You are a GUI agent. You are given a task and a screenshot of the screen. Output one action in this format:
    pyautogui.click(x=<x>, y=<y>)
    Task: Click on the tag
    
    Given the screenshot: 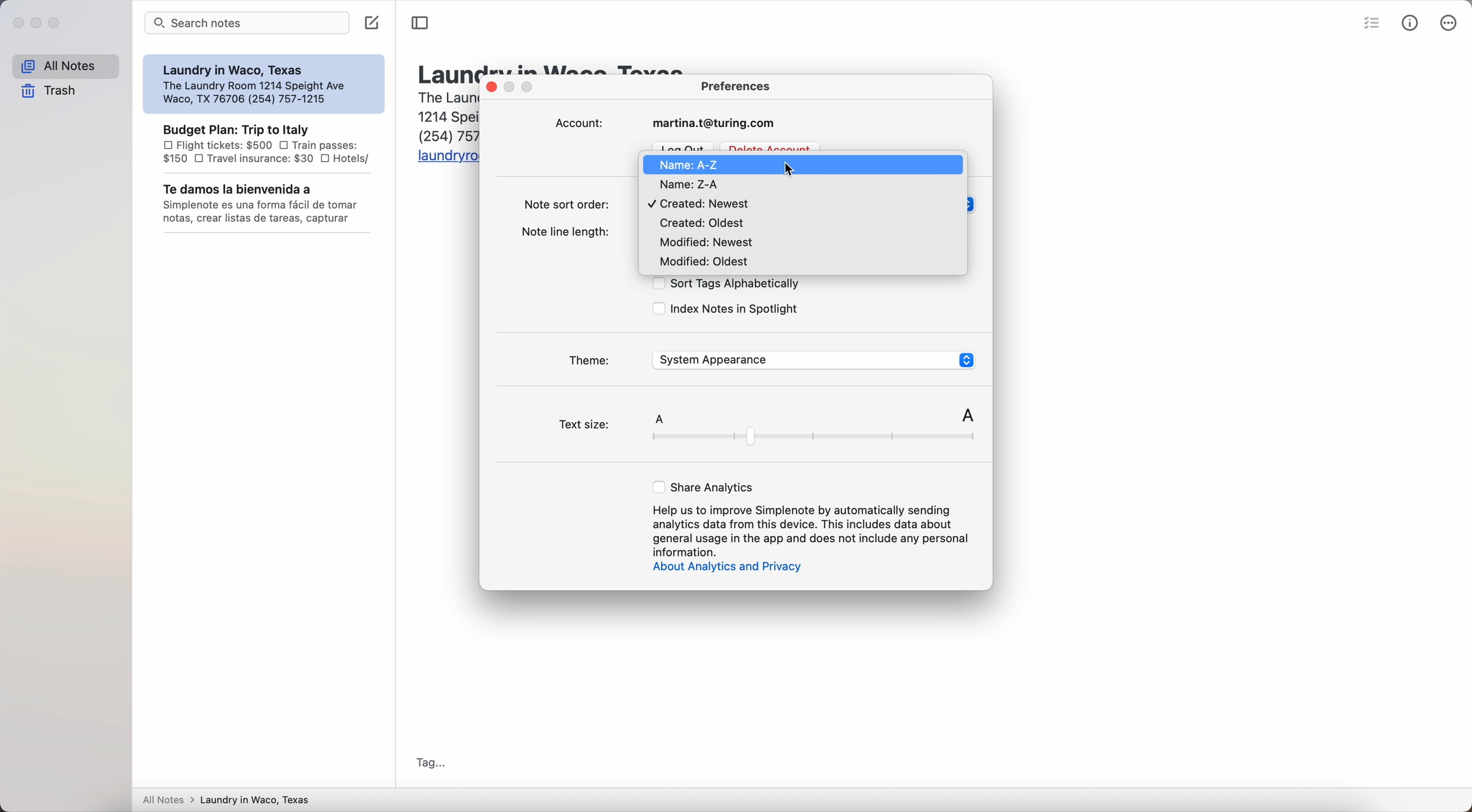 What is the action you would take?
    pyautogui.click(x=433, y=762)
    